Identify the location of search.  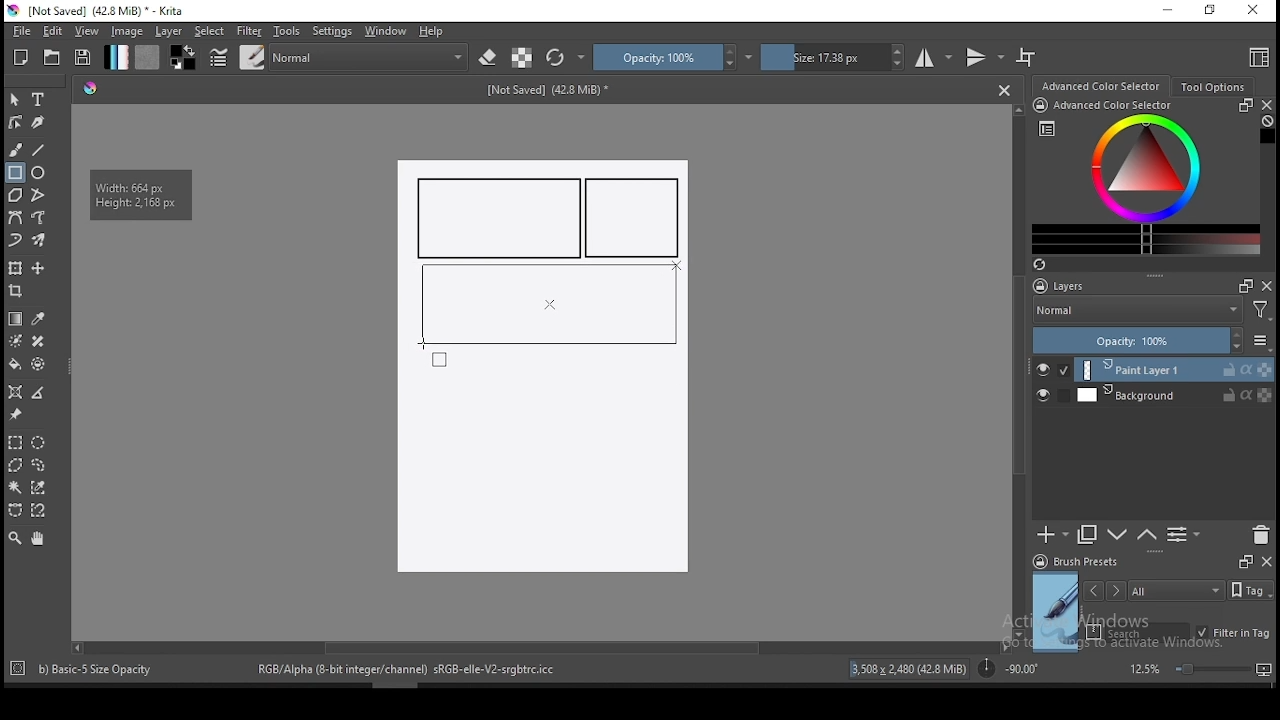
(1138, 632).